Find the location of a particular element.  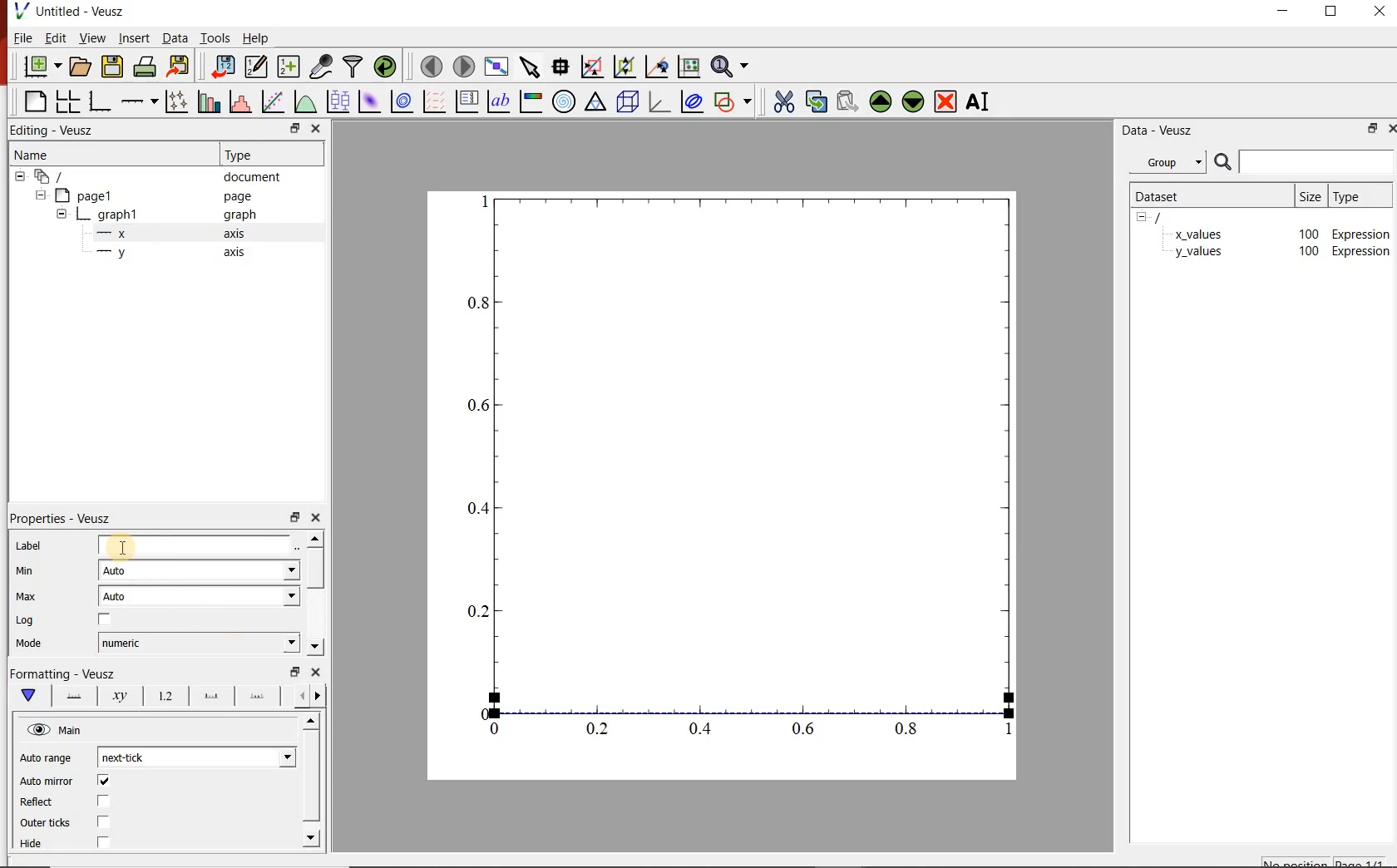

axis label is located at coordinates (121, 697).